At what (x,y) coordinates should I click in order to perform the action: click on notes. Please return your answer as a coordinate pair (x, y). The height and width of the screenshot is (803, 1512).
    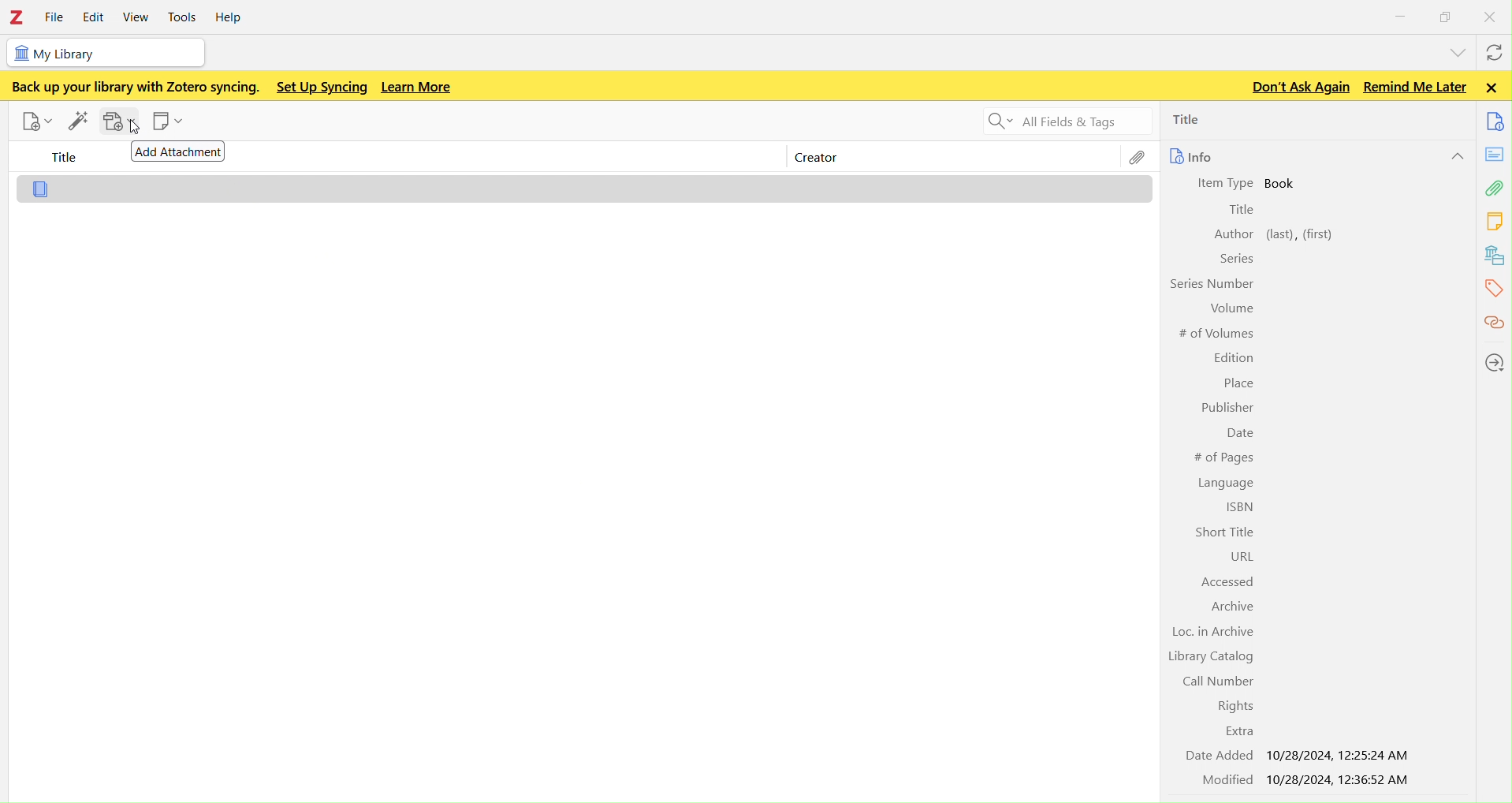
    Looking at the image, I should click on (1495, 153).